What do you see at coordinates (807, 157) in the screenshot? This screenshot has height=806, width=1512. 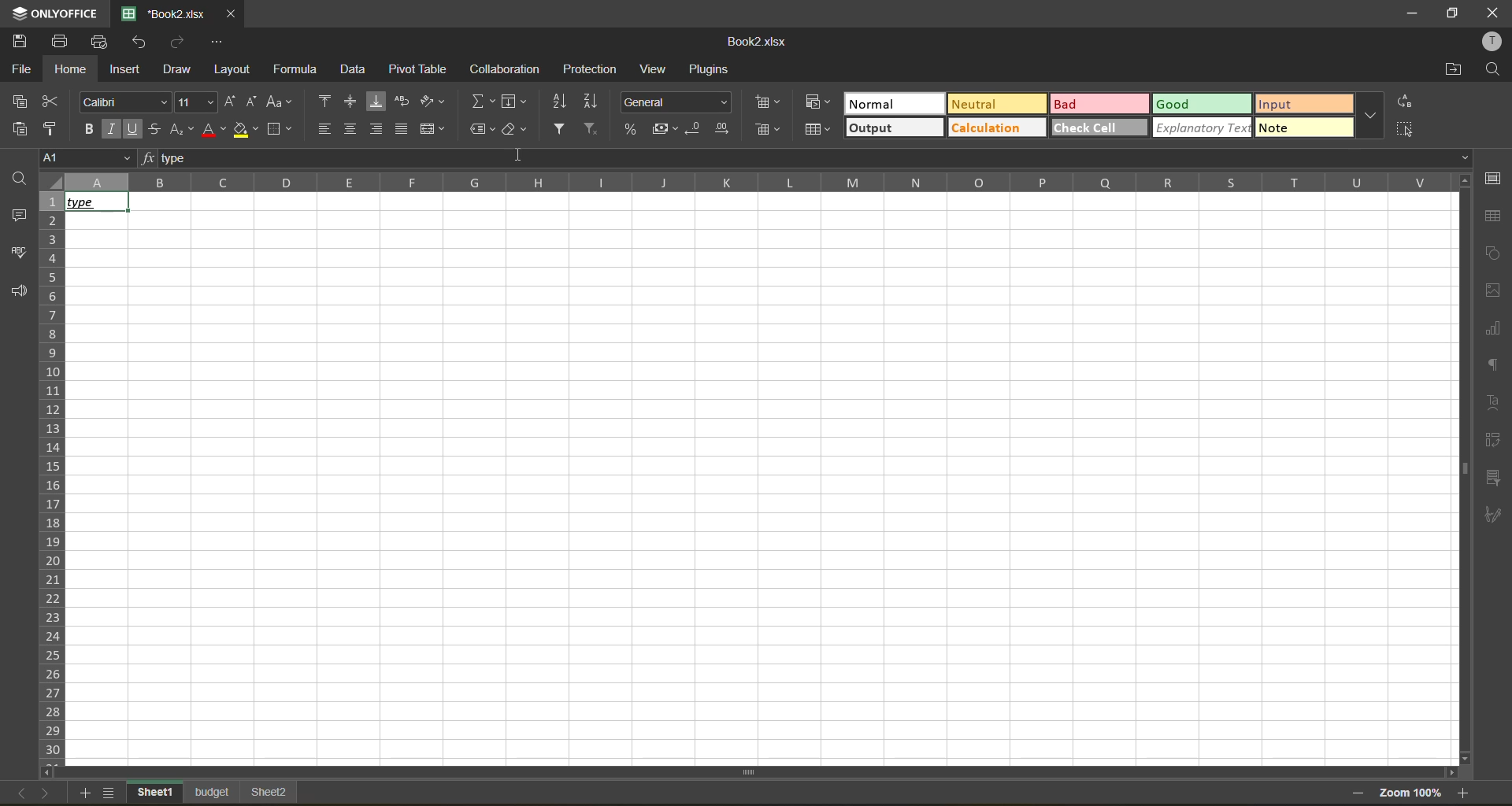 I see `formula bar` at bounding box center [807, 157].